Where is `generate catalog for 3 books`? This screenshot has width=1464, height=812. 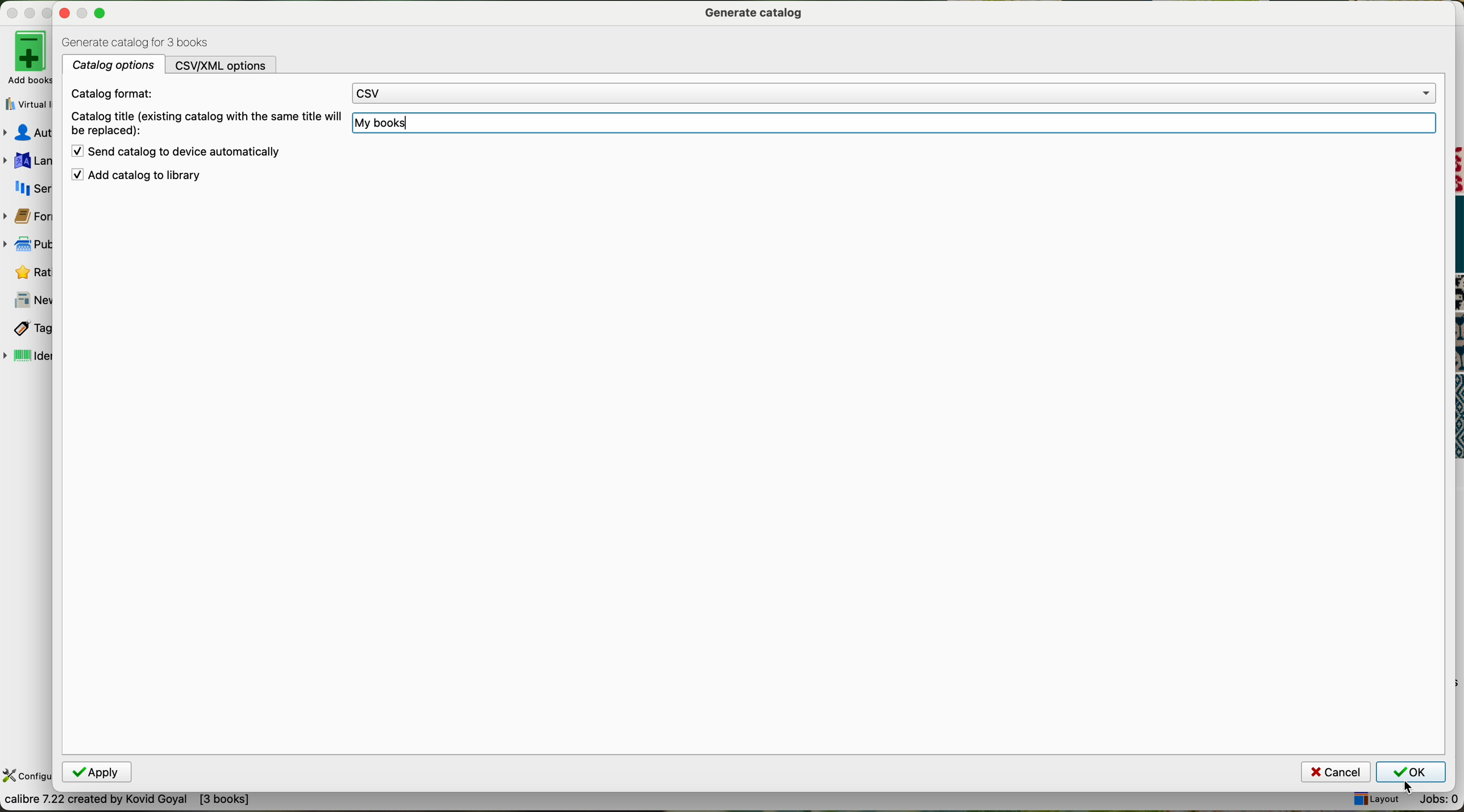
generate catalog for 3 books is located at coordinates (141, 40).